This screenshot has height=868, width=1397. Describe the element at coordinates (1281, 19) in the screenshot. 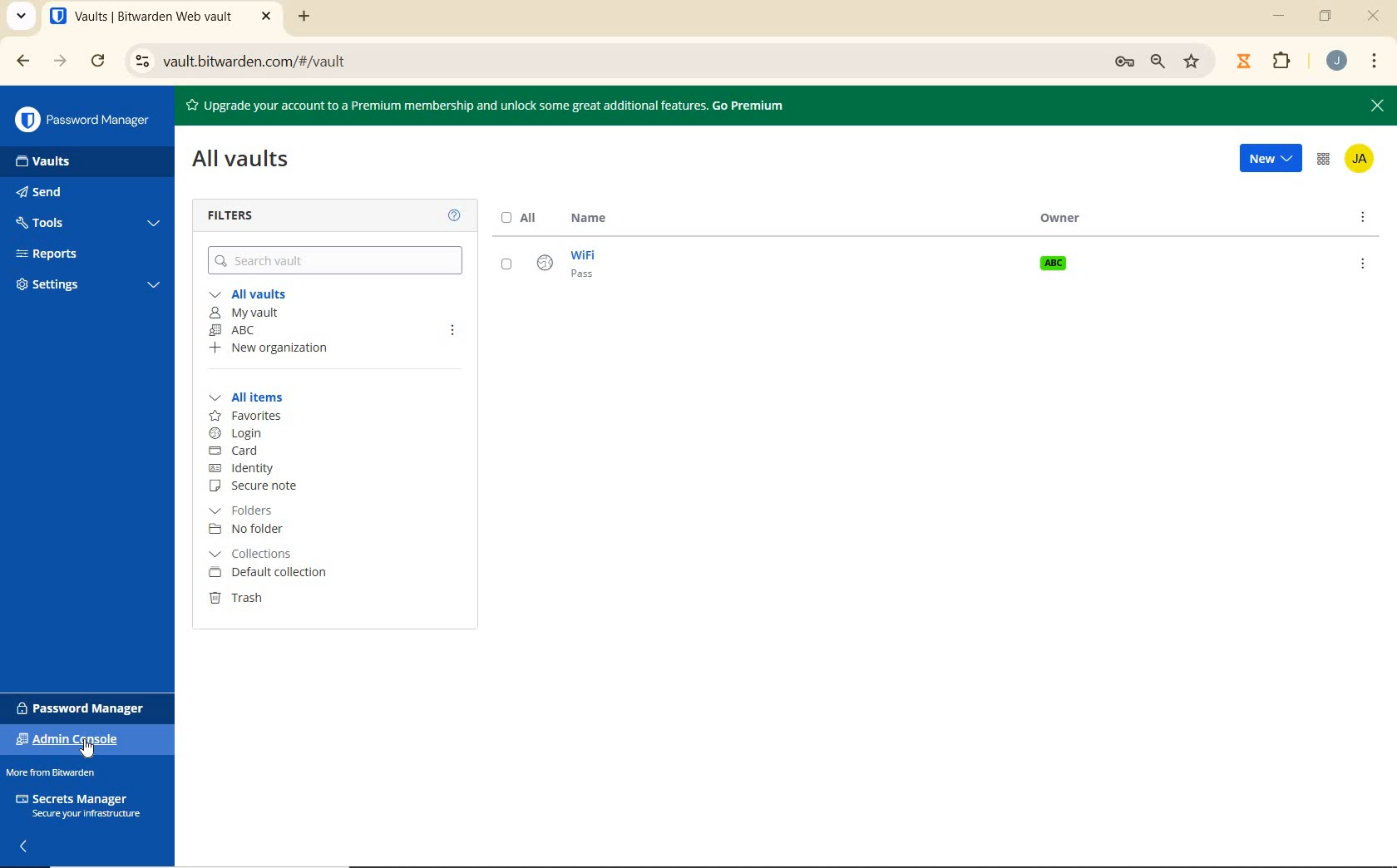

I see `MINIMIZE` at that location.